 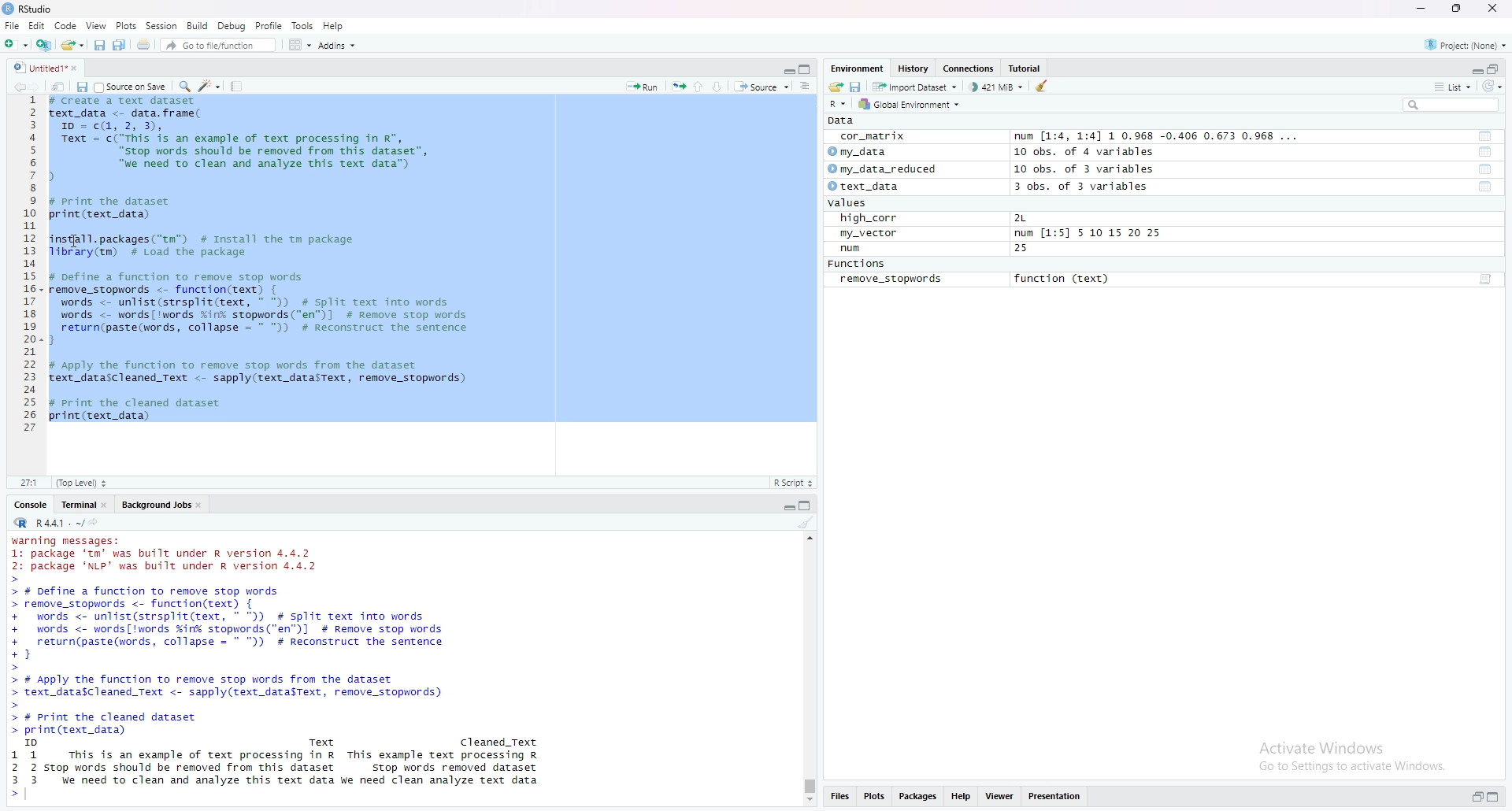 I want to click on go to file/function, so click(x=220, y=46).